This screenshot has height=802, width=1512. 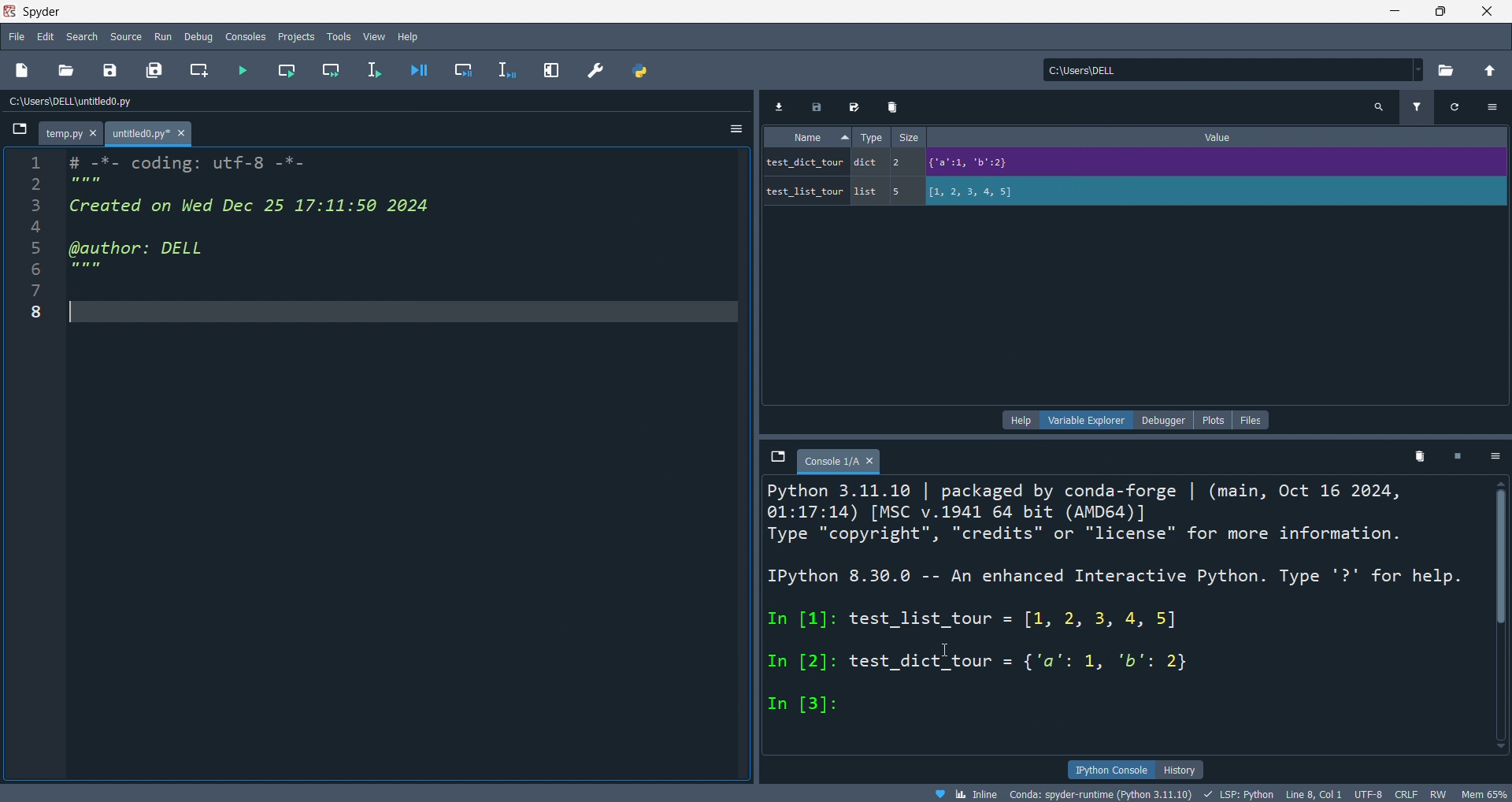 What do you see at coordinates (857, 108) in the screenshot?
I see `save data as` at bounding box center [857, 108].